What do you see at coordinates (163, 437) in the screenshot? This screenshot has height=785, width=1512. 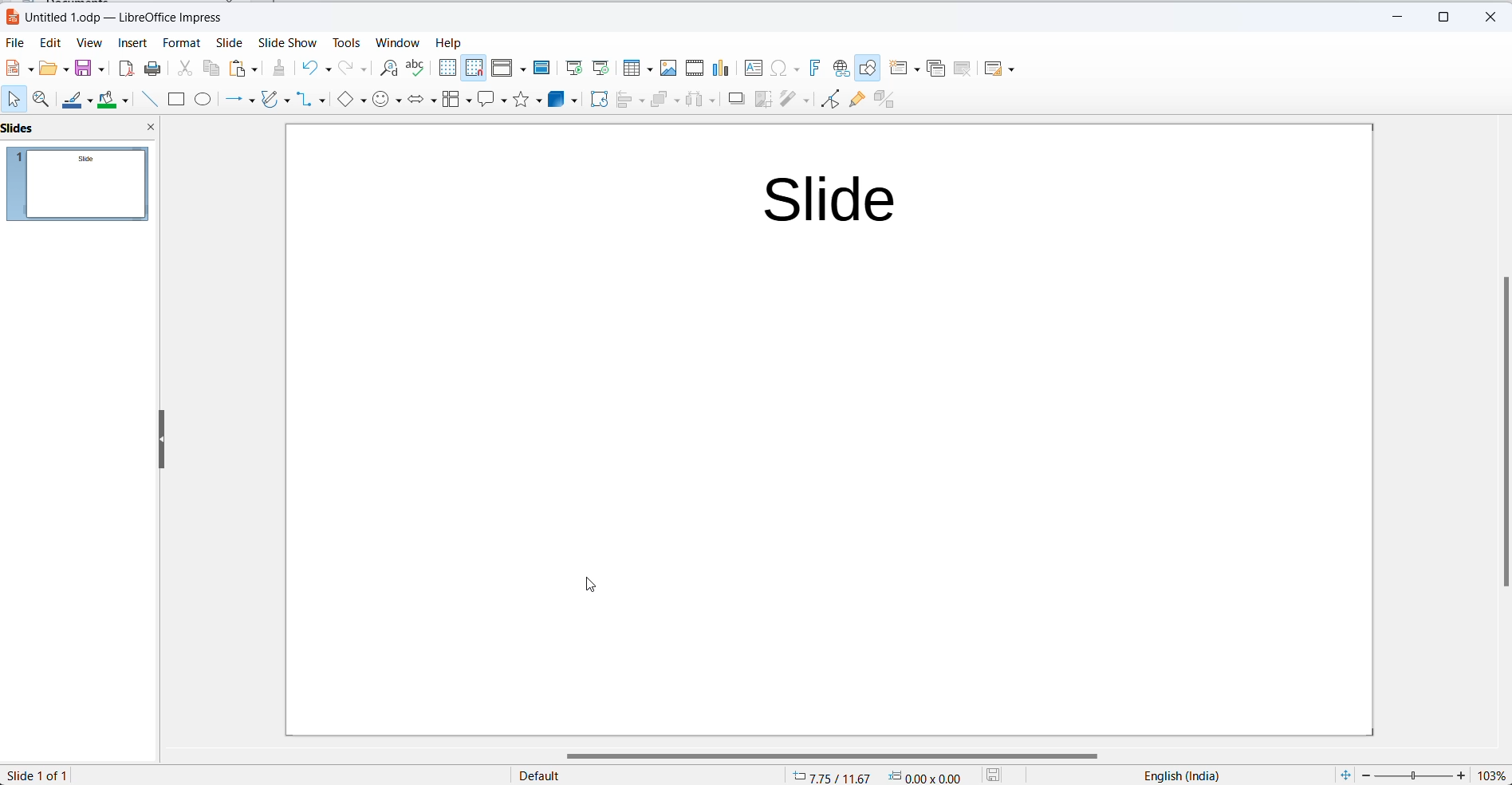 I see `hide left sidebar` at bounding box center [163, 437].